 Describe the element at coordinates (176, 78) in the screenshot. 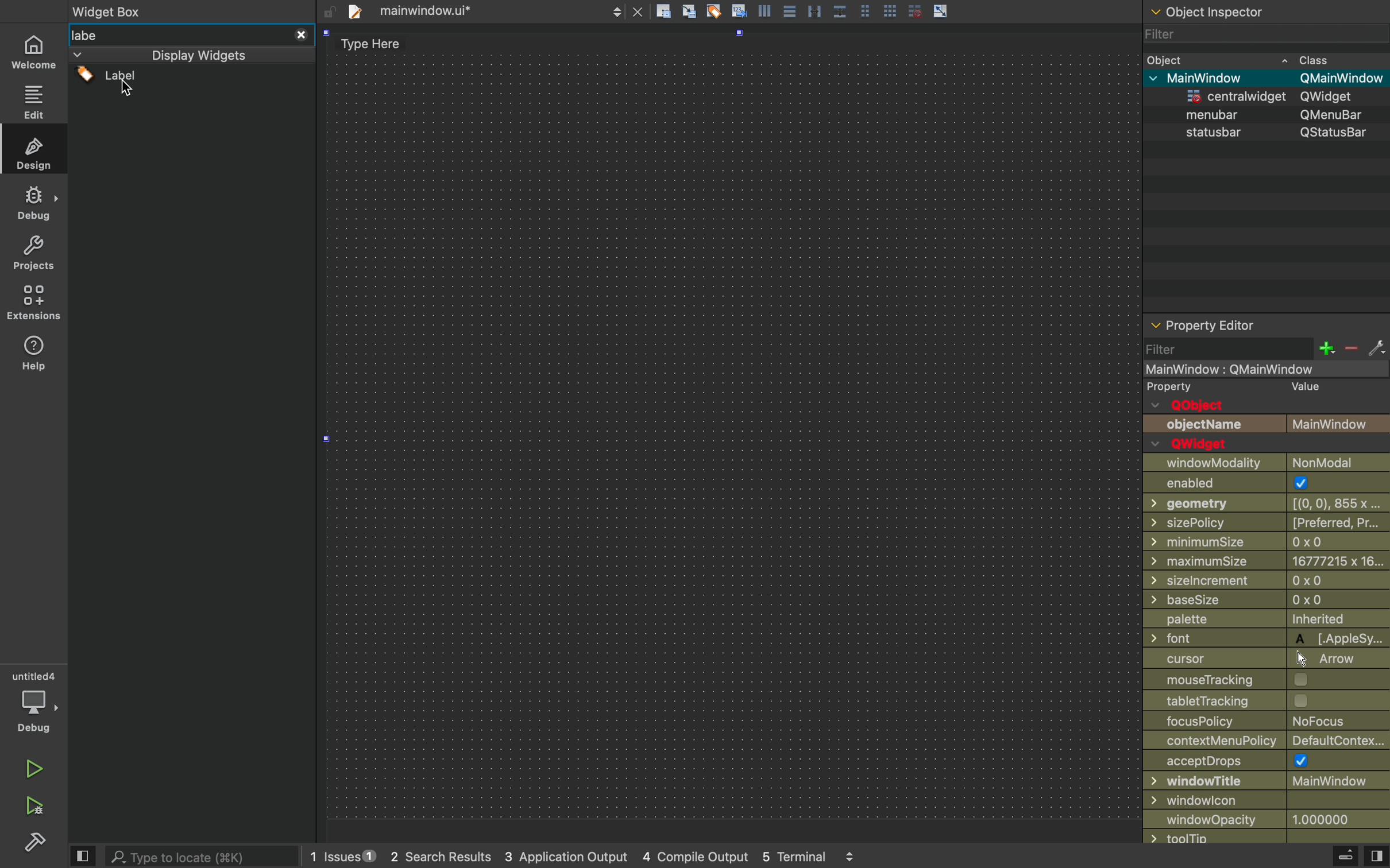

I see `filer widget` at that location.